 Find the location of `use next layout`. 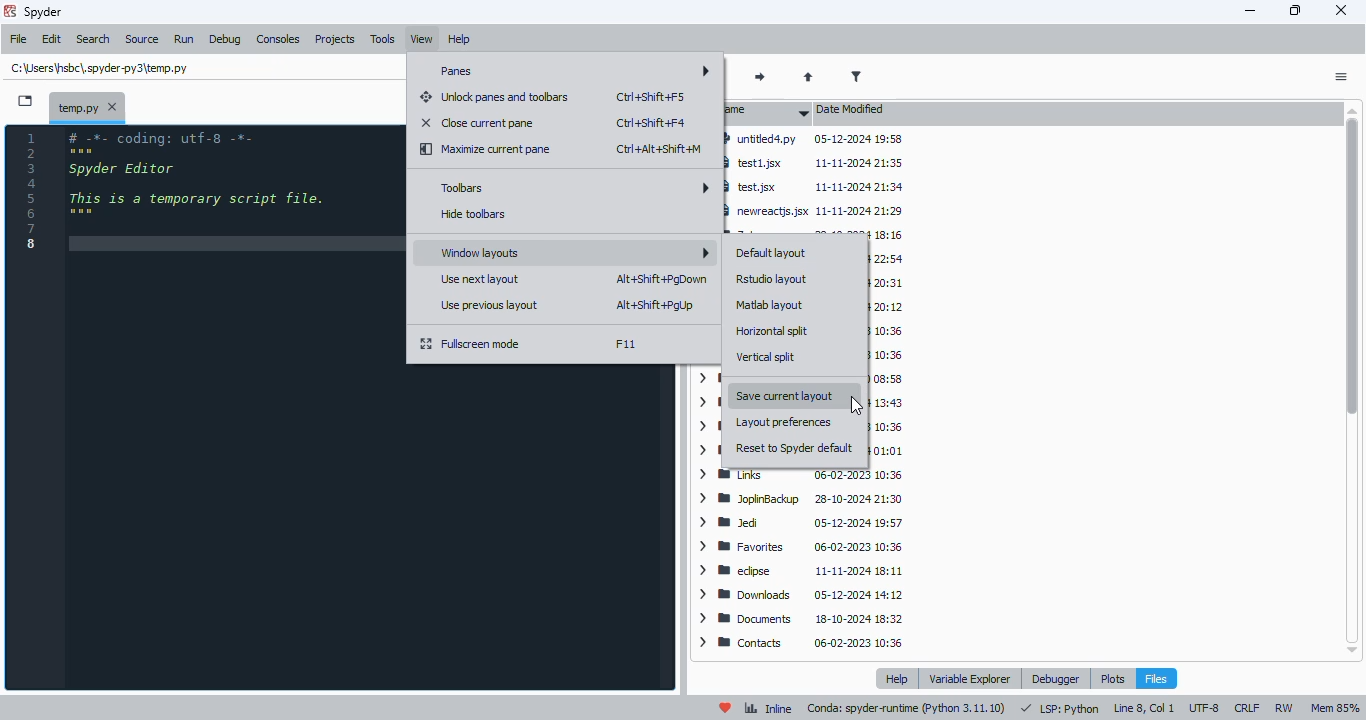

use next layout is located at coordinates (478, 280).